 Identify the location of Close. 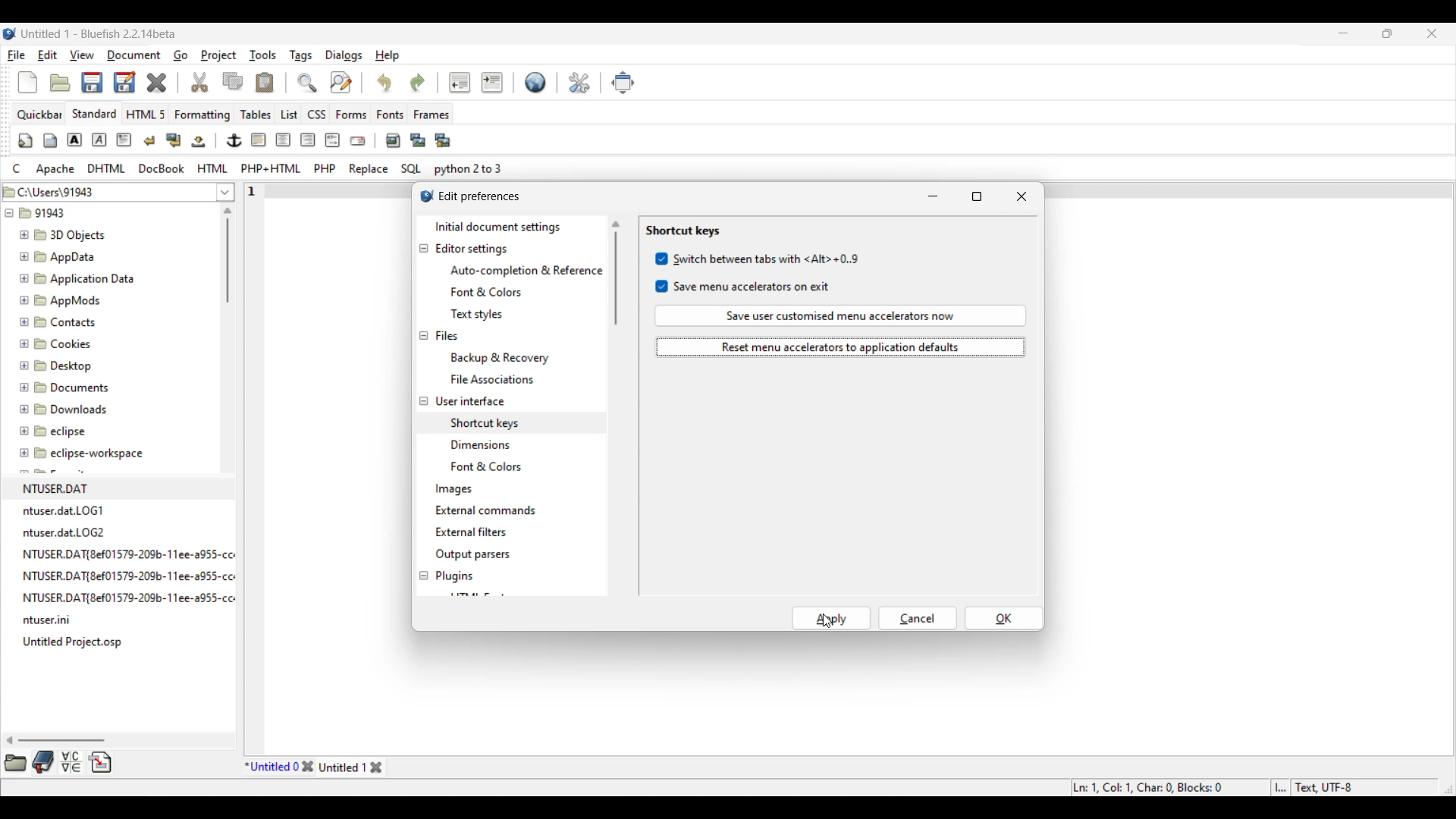
(307, 767).